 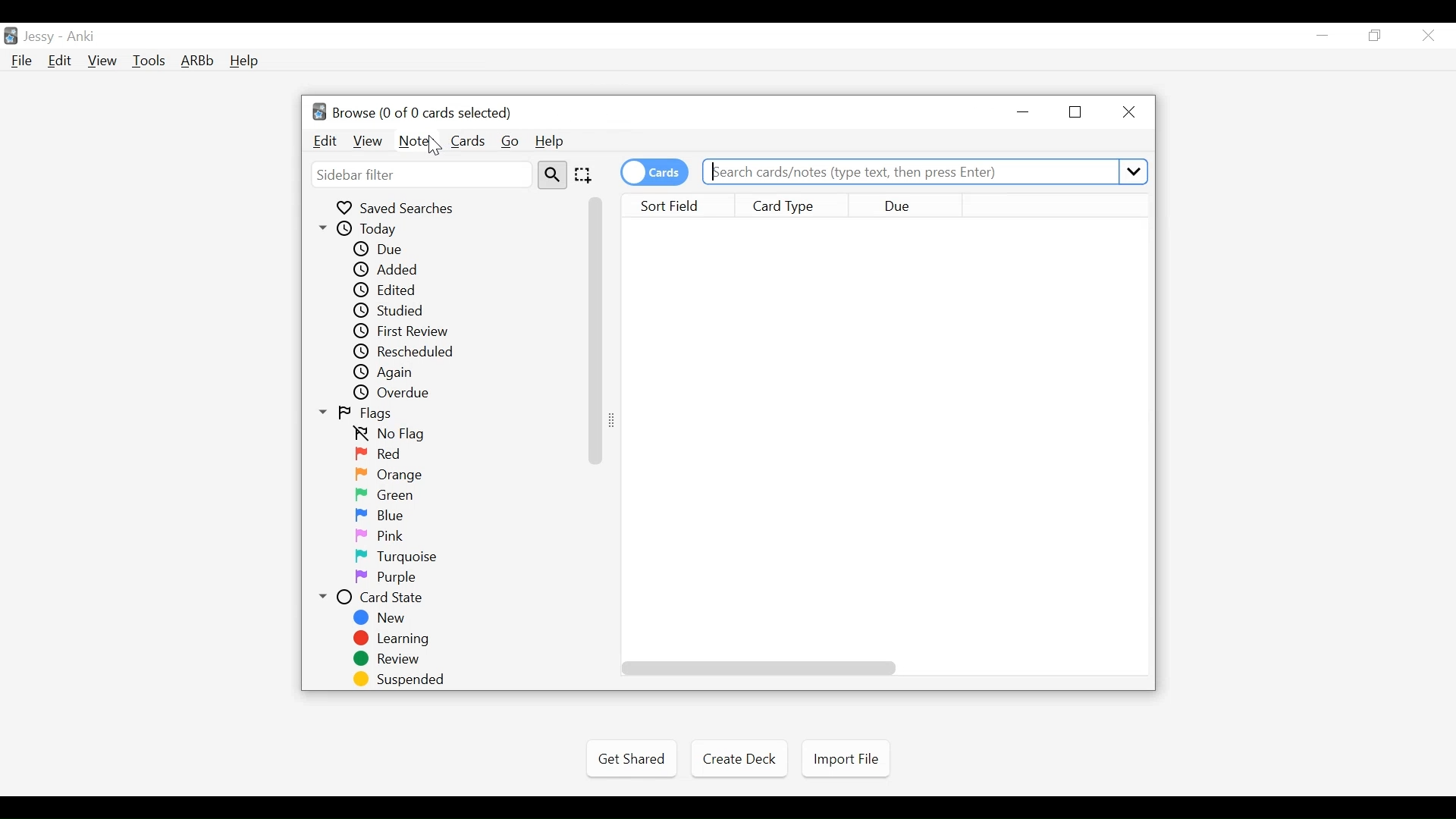 I want to click on Red, so click(x=381, y=453).